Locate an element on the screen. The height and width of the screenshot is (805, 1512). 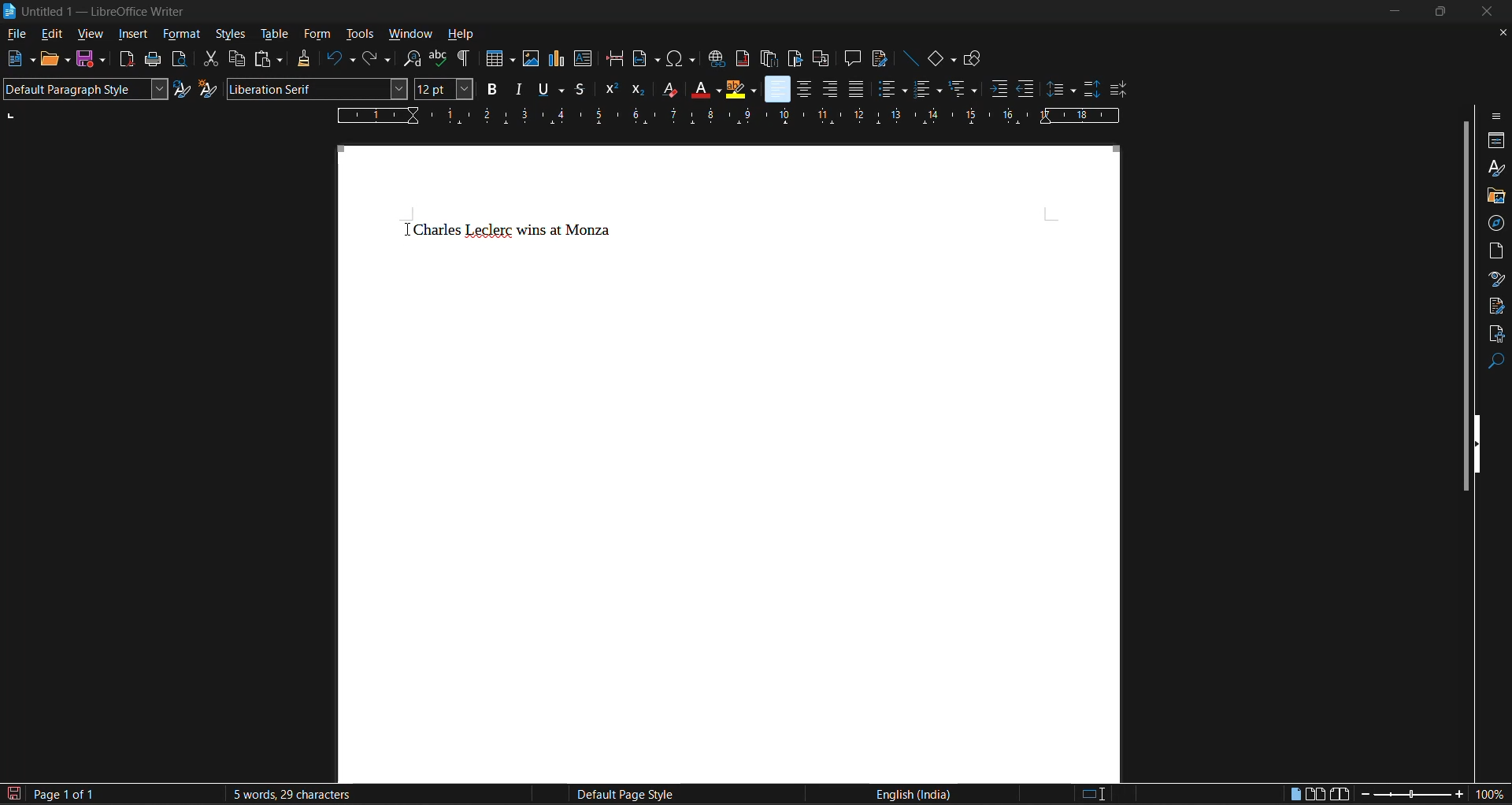
insert table is located at coordinates (500, 57).